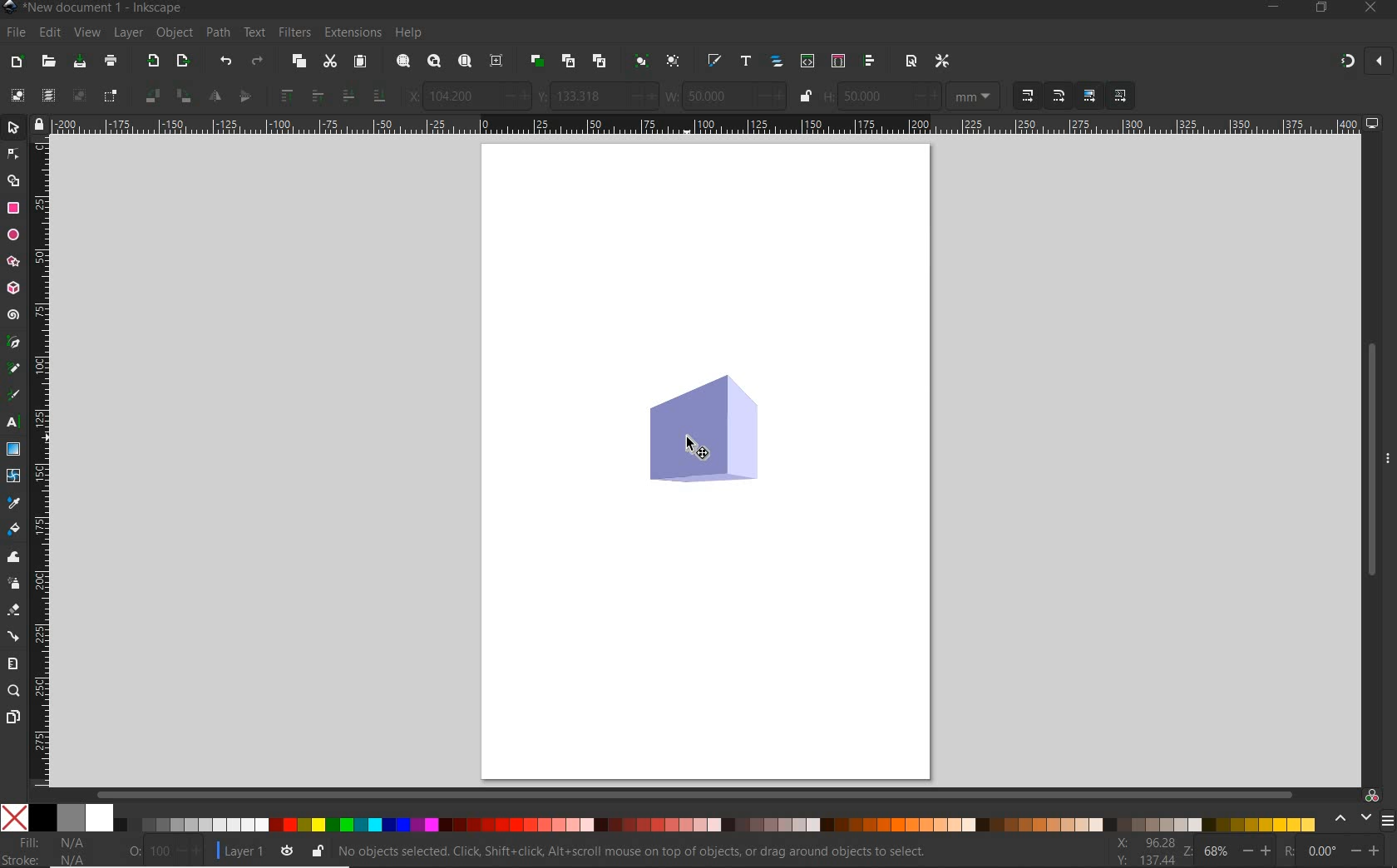  Describe the element at coordinates (316, 849) in the screenshot. I see `lock/unlock` at that location.